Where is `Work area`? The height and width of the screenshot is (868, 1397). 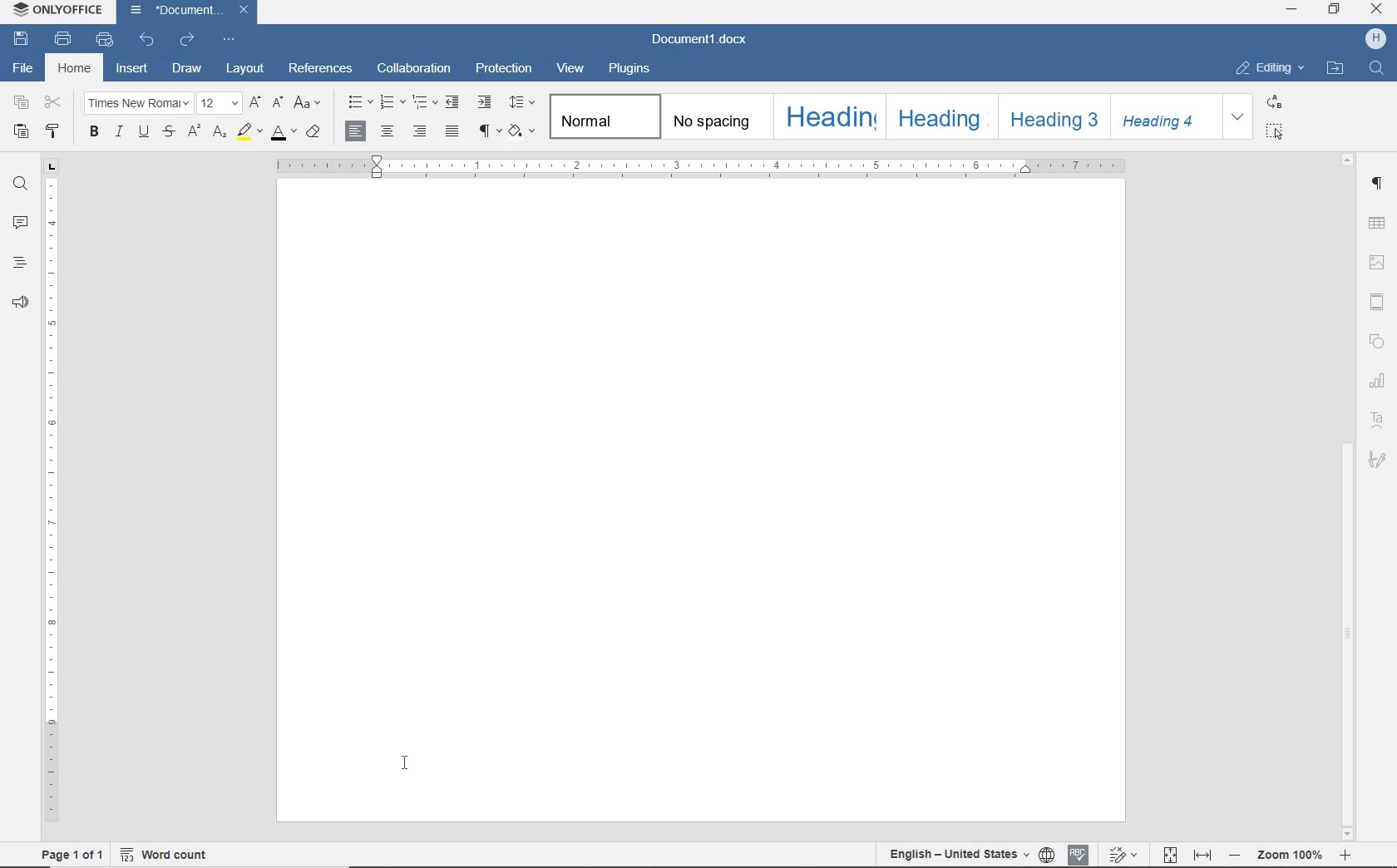
Work area is located at coordinates (701, 501).